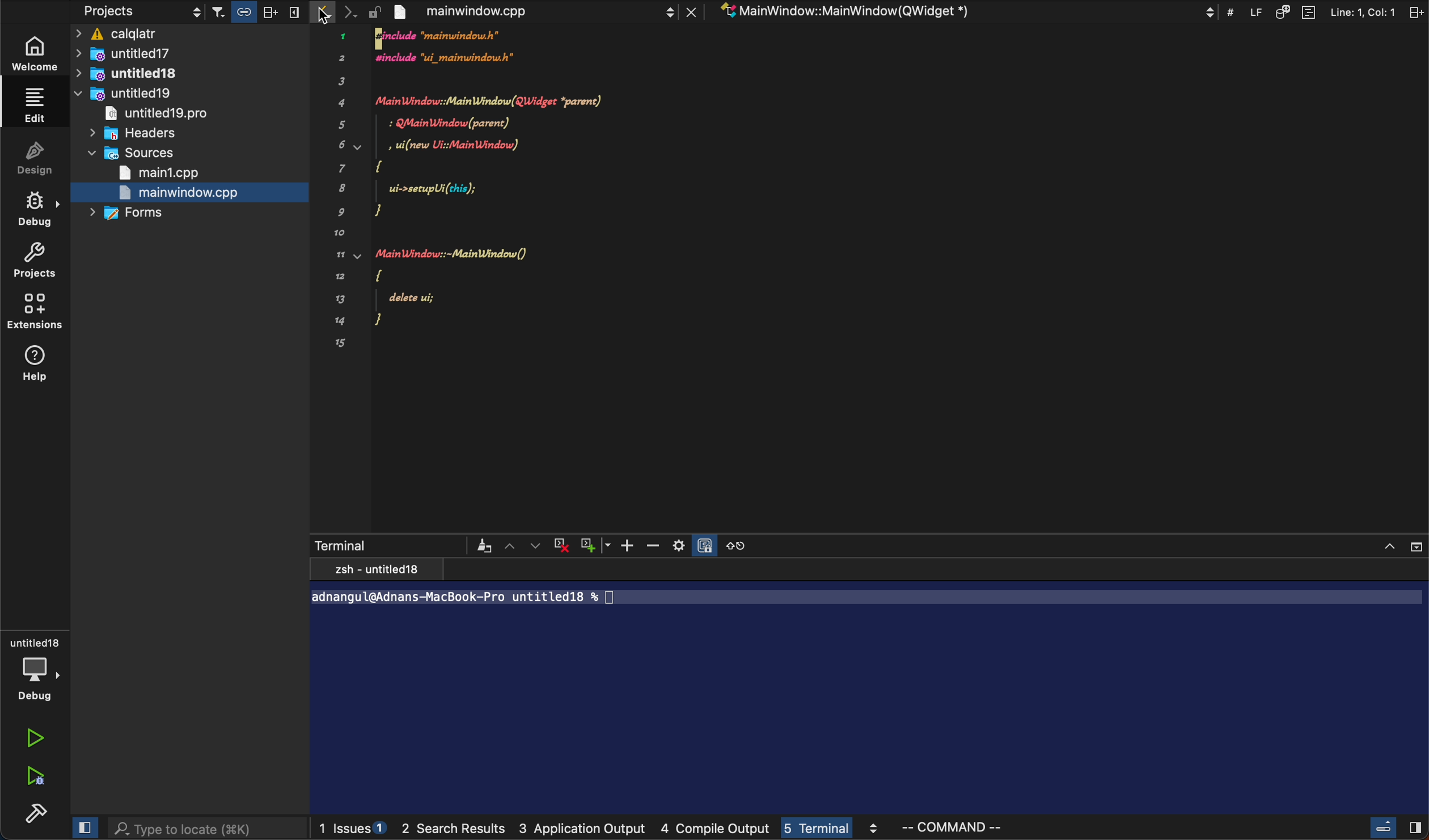 The height and width of the screenshot is (840, 1429). What do you see at coordinates (1325, 11) in the screenshot?
I see `split` at bounding box center [1325, 11].